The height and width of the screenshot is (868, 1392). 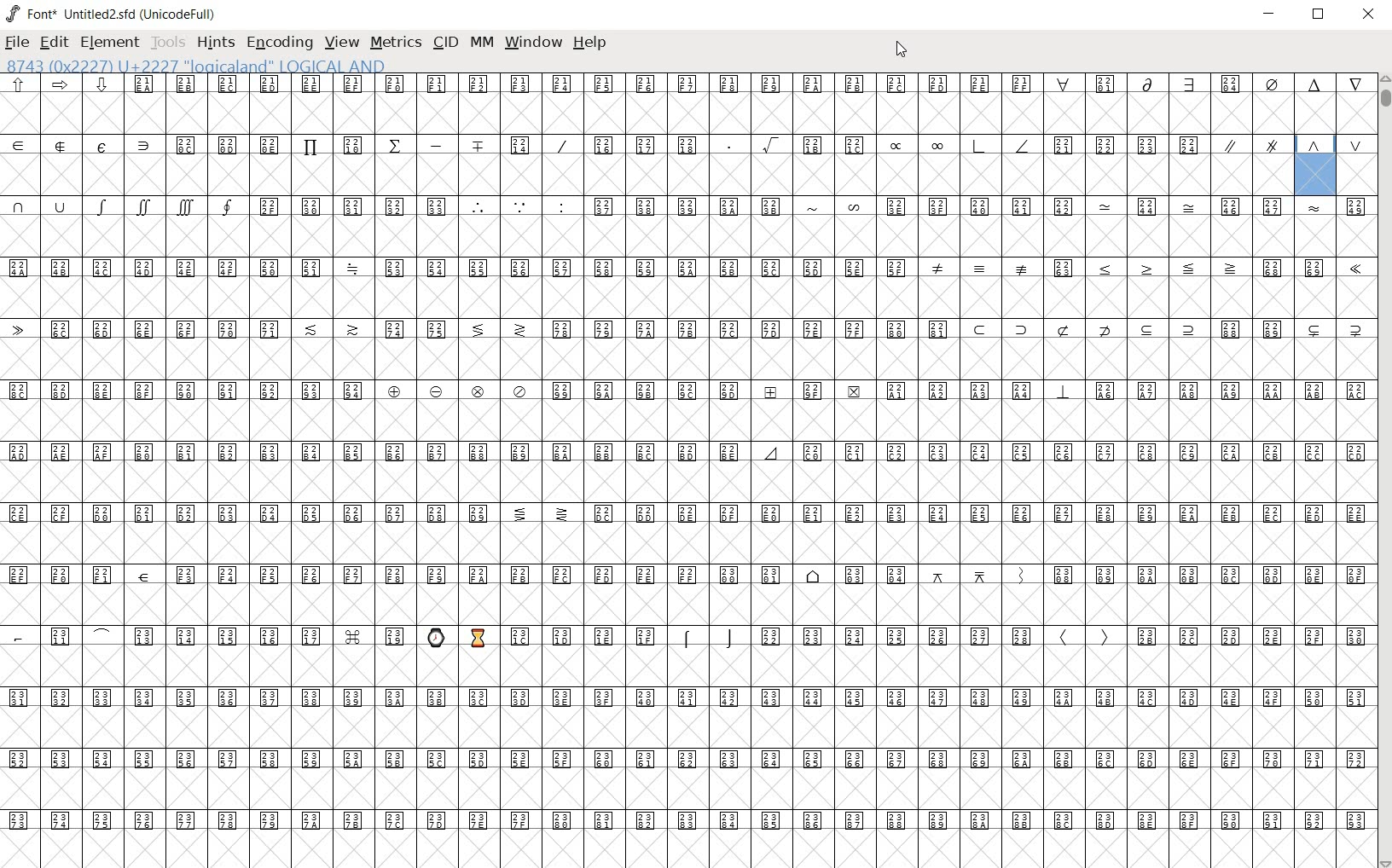 I want to click on mm, so click(x=481, y=40).